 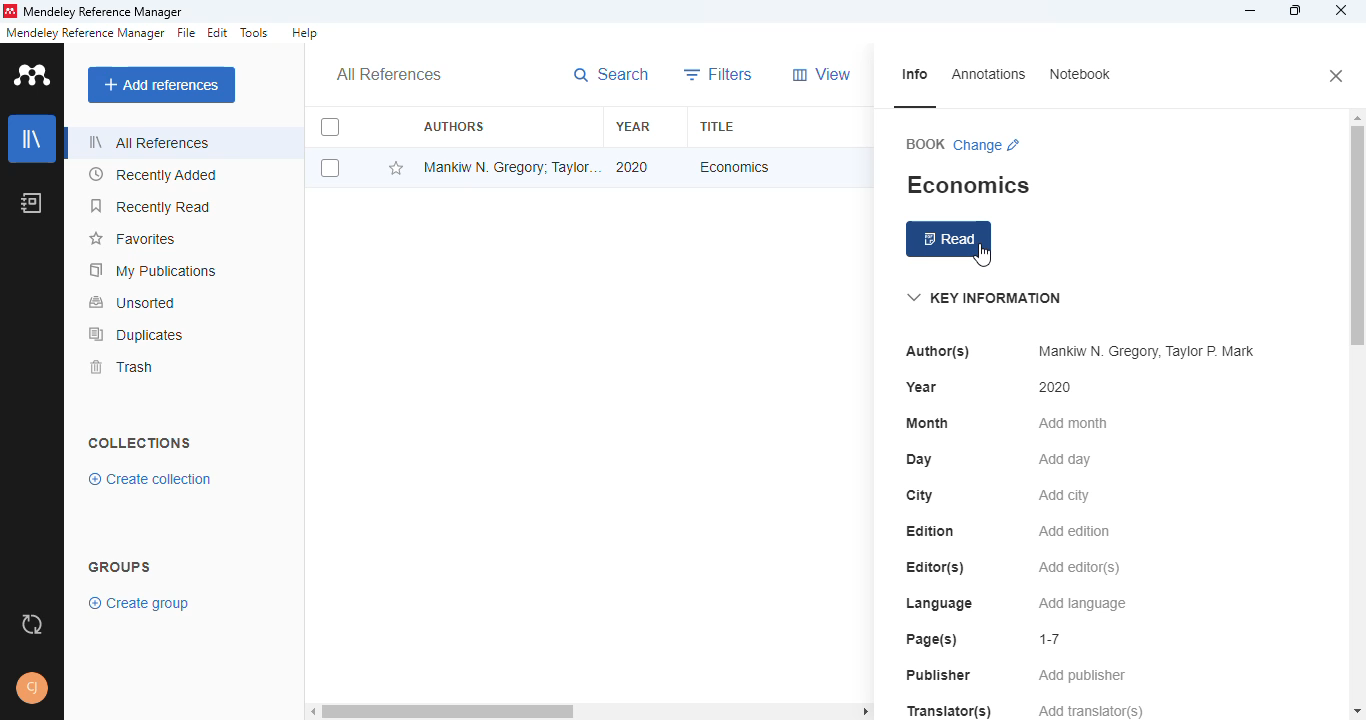 What do you see at coordinates (925, 423) in the screenshot?
I see `month` at bounding box center [925, 423].